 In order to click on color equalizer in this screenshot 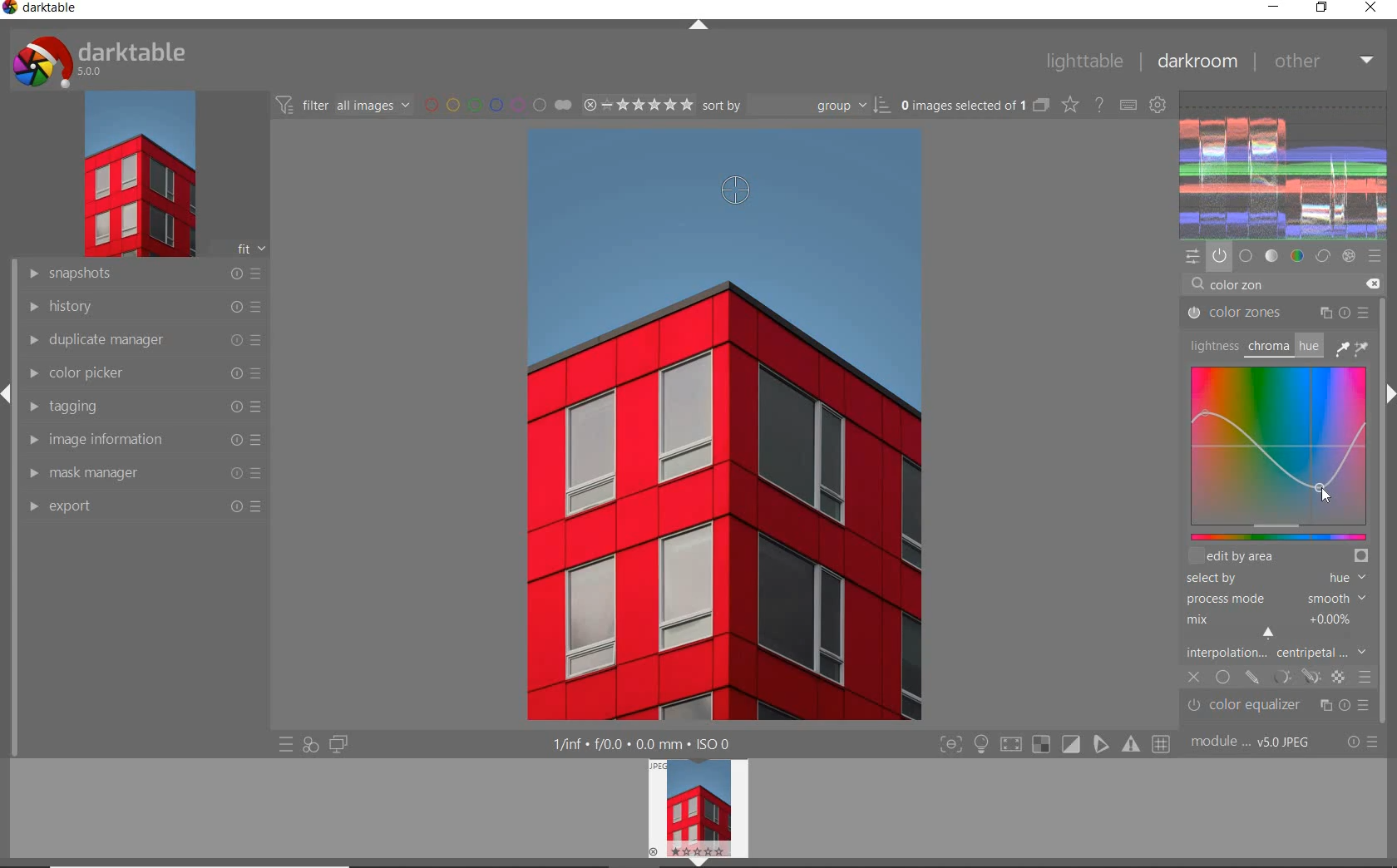, I will do `click(1279, 708)`.